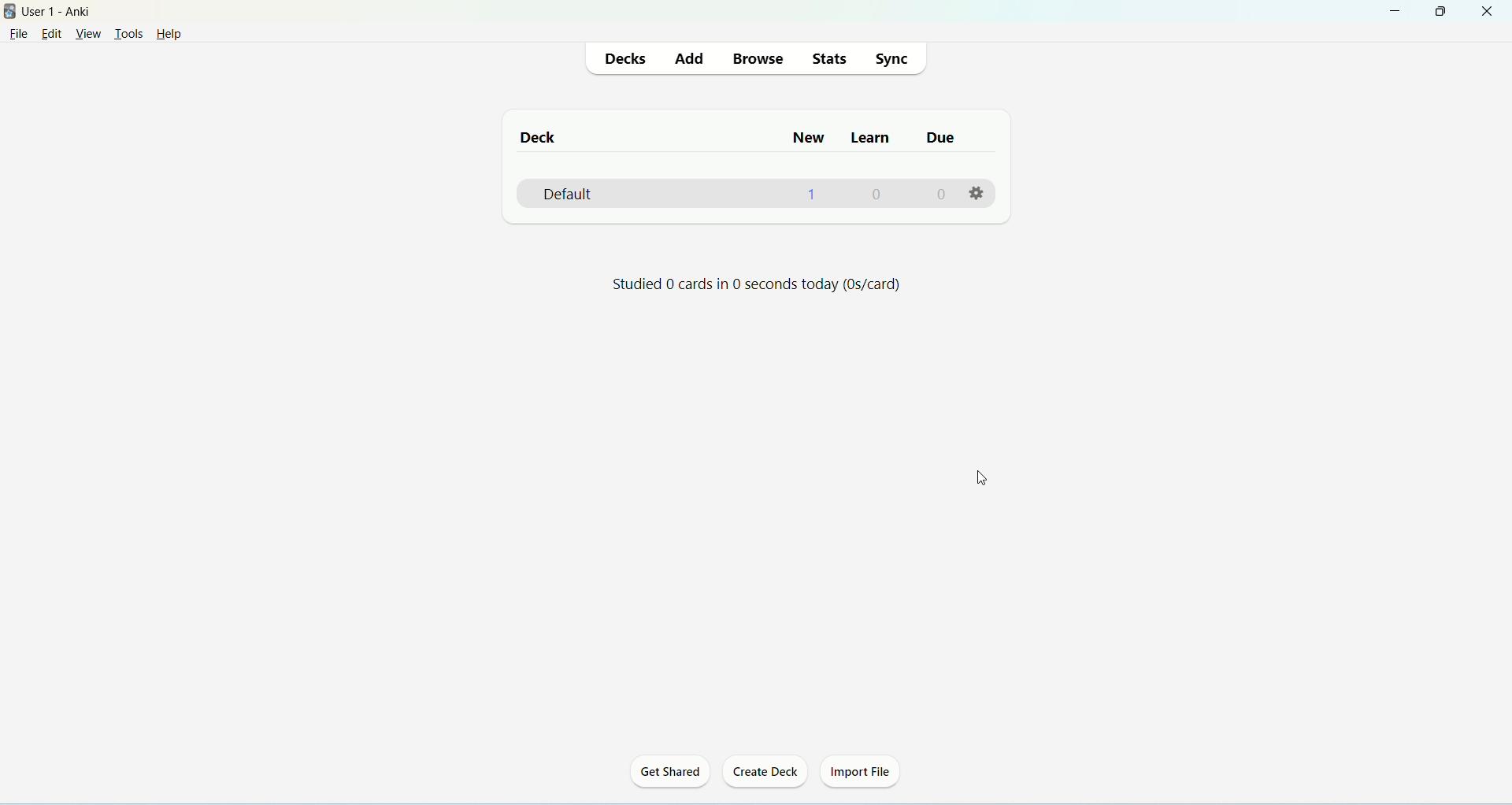 The height and width of the screenshot is (805, 1512). Describe the element at coordinates (862, 774) in the screenshot. I see `import file` at that location.